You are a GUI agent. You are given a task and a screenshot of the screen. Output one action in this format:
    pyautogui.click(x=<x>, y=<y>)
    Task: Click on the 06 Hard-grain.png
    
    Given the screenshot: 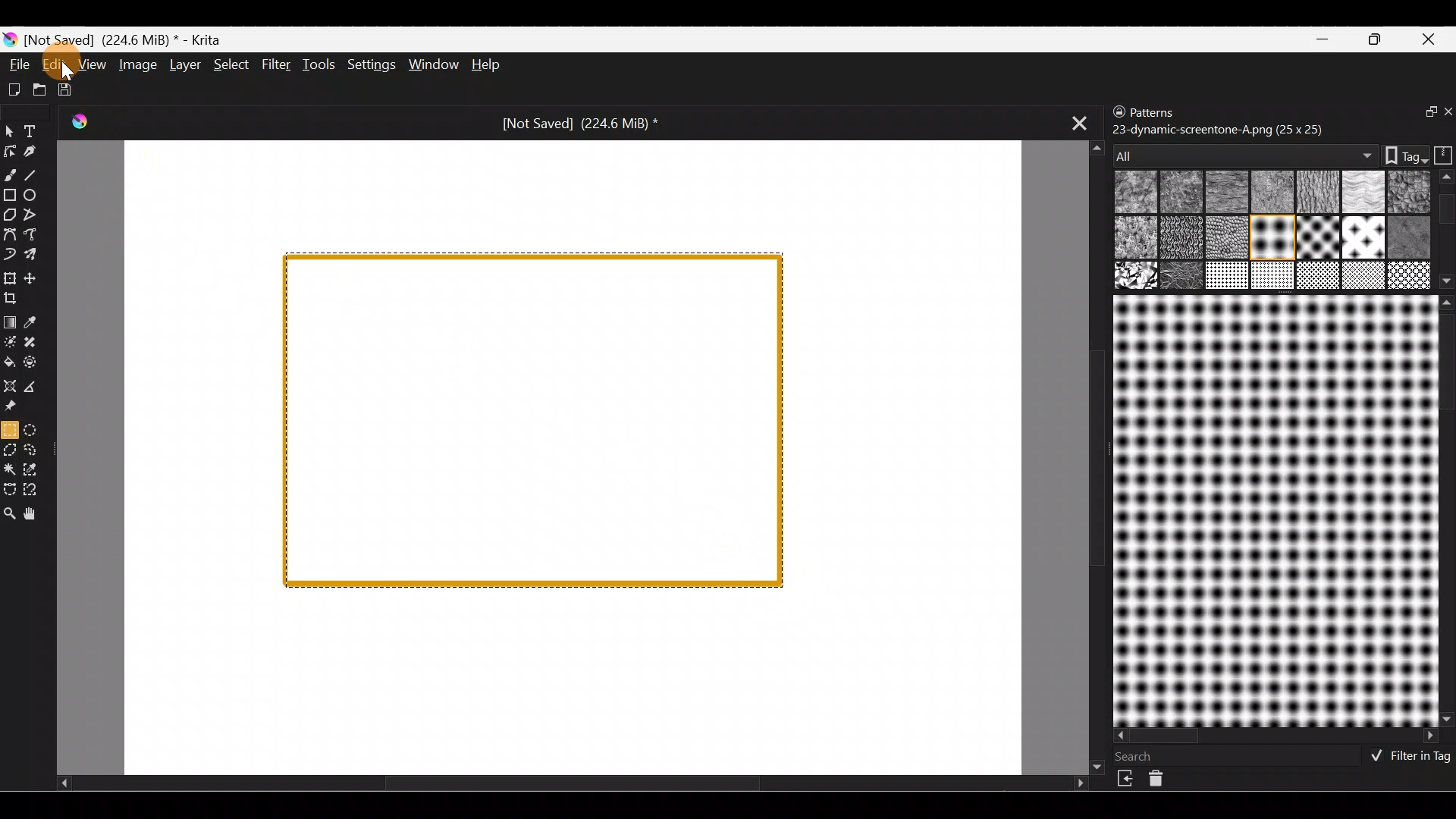 What is the action you would take?
    pyautogui.click(x=1412, y=193)
    